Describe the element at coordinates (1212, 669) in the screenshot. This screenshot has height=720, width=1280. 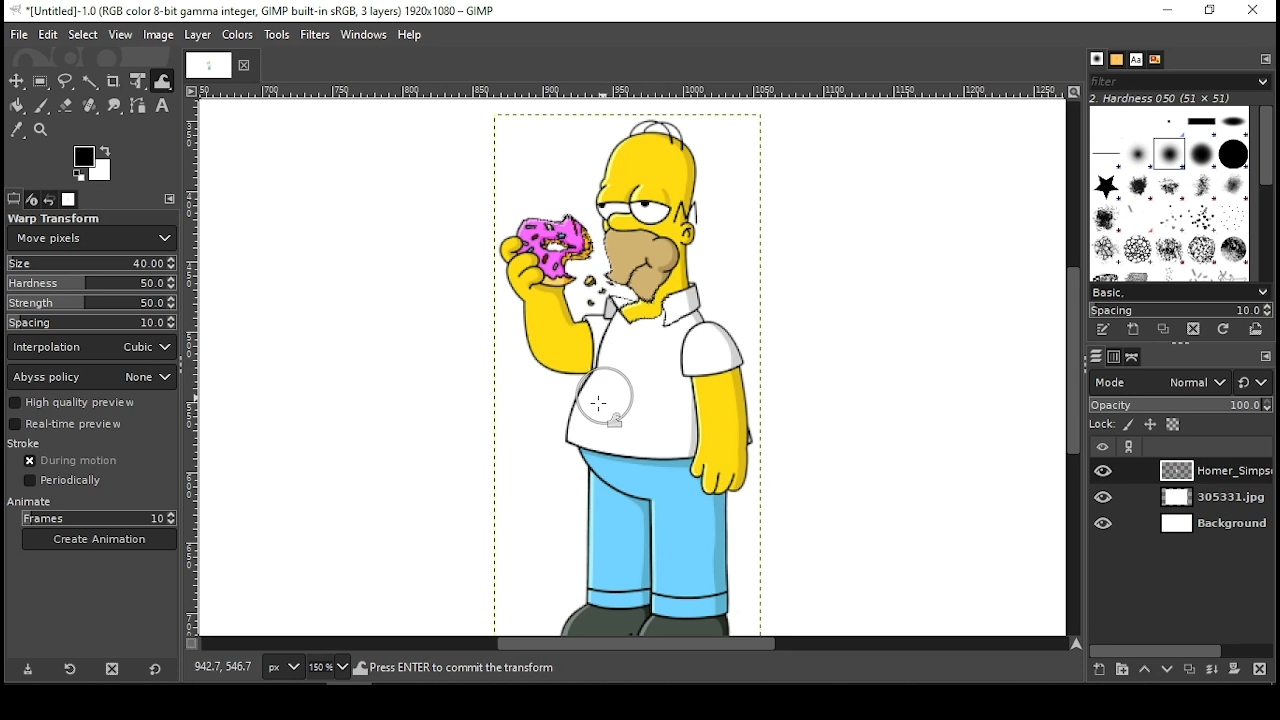
I see `merge layer` at that location.